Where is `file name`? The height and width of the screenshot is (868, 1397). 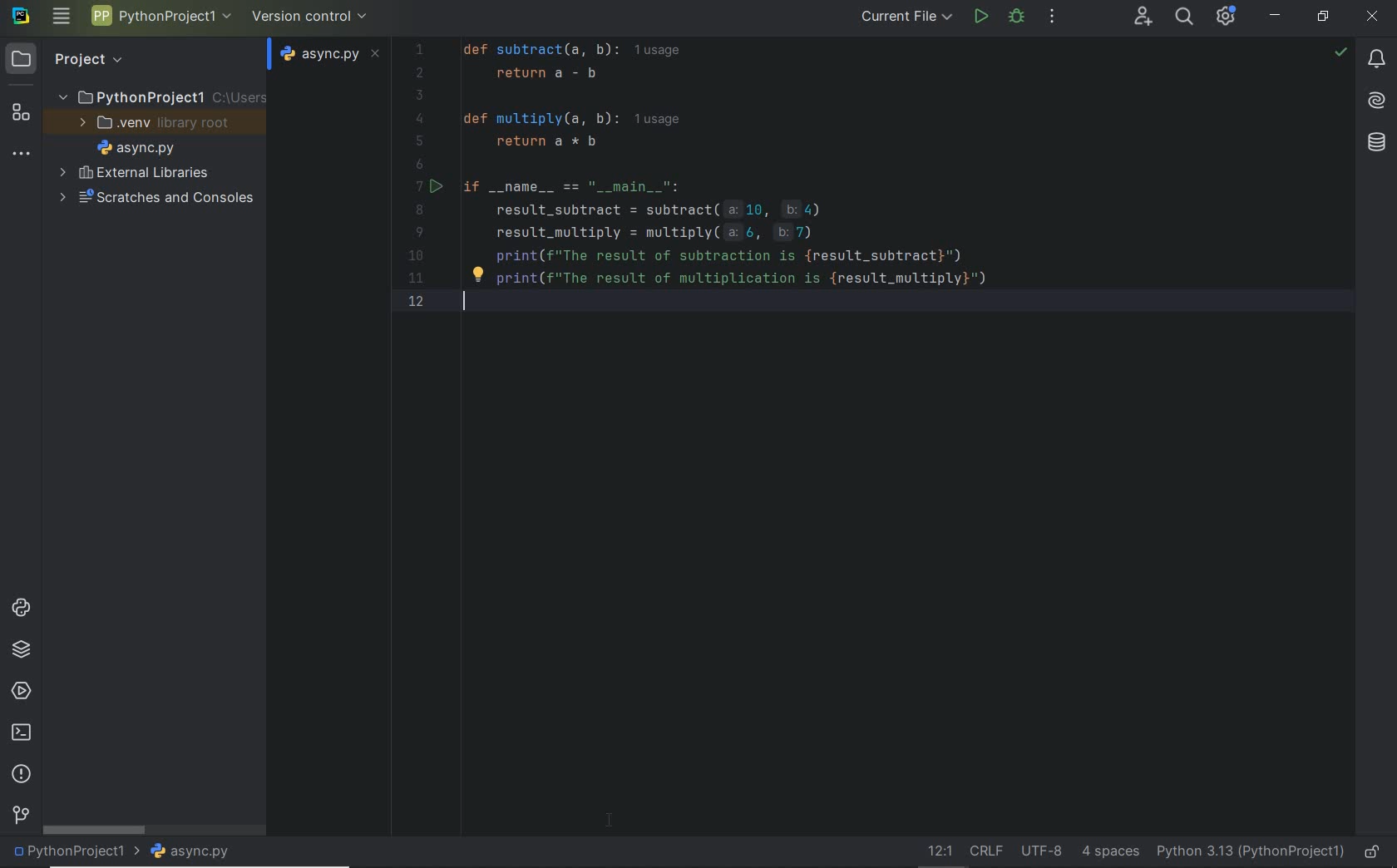
file name is located at coordinates (196, 851).